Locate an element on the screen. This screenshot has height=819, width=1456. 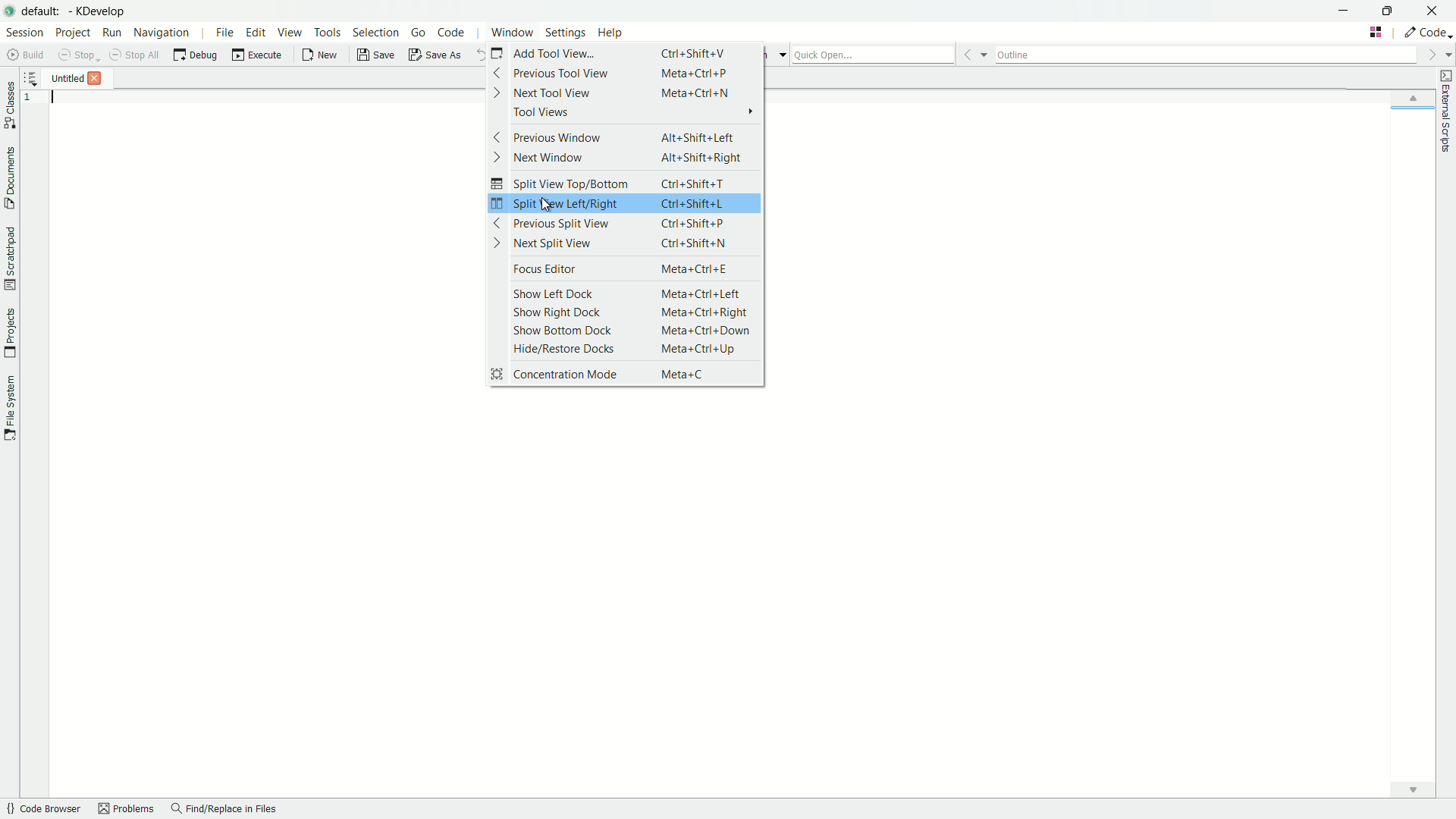
new is located at coordinates (319, 55).